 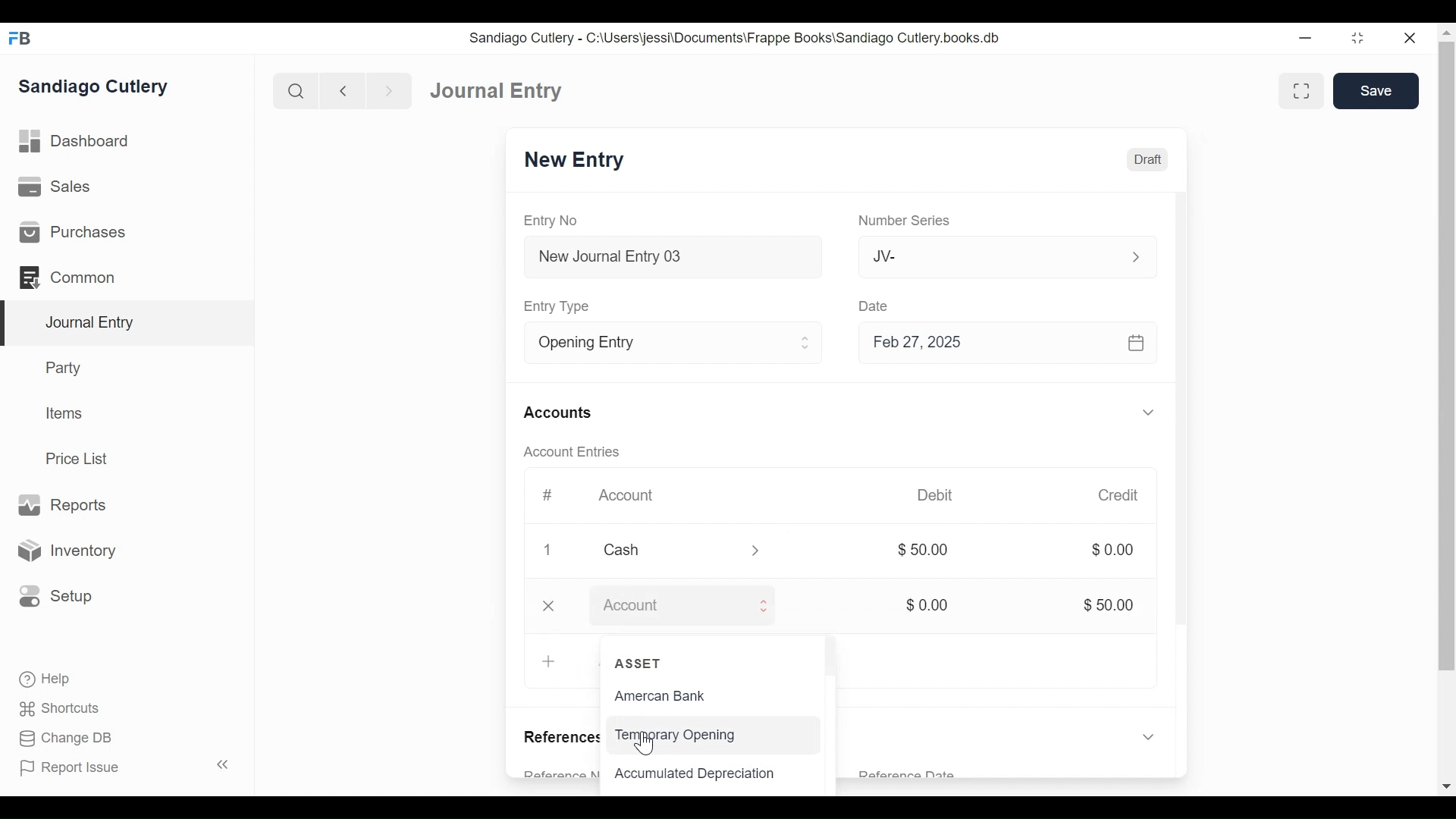 I want to click on Report Issue, so click(x=71, y=768).